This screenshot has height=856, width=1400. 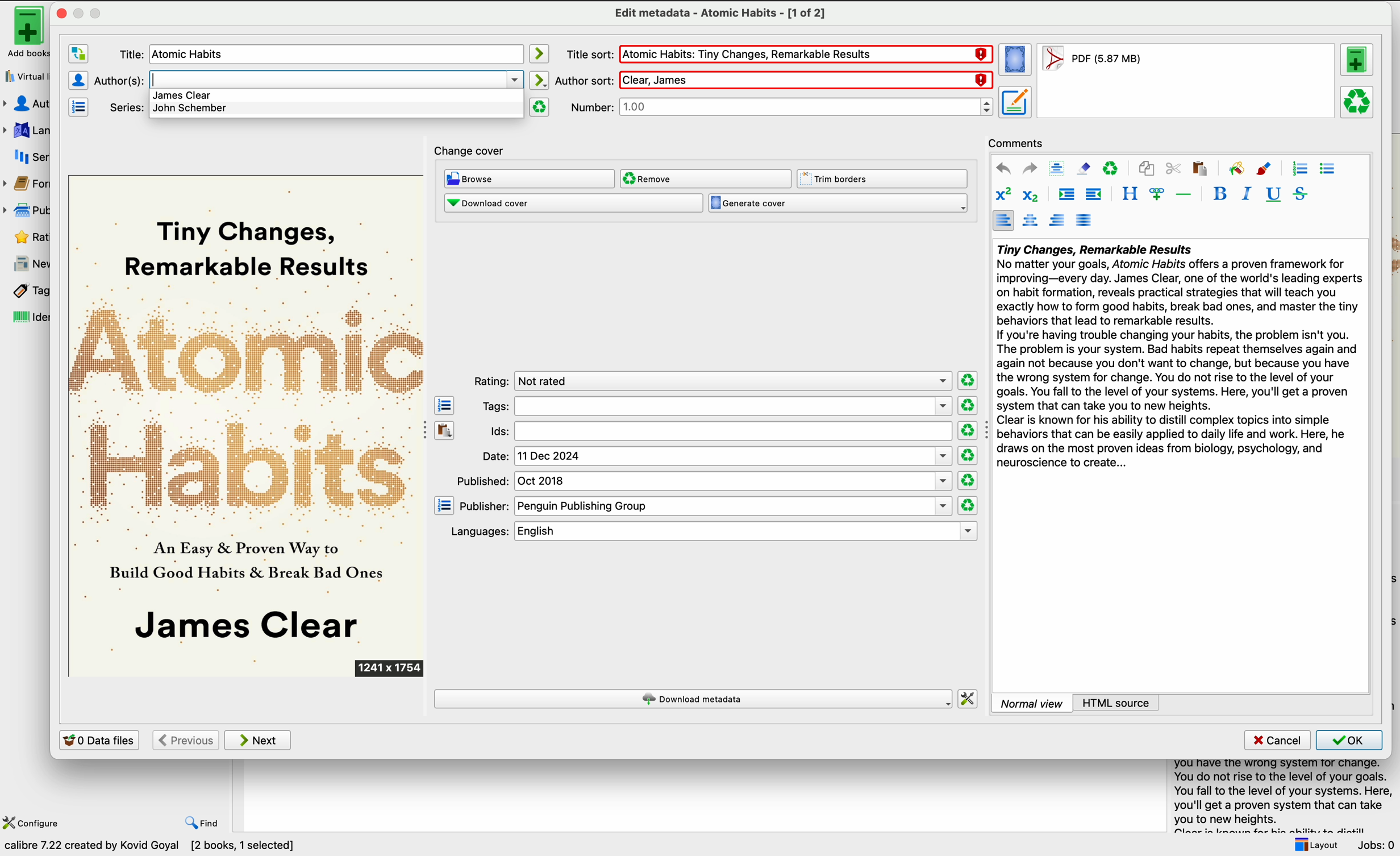 What do you see at coordinates (248, 426) in the screenshot?
I see `cover book` at bounding box center [248, 426].